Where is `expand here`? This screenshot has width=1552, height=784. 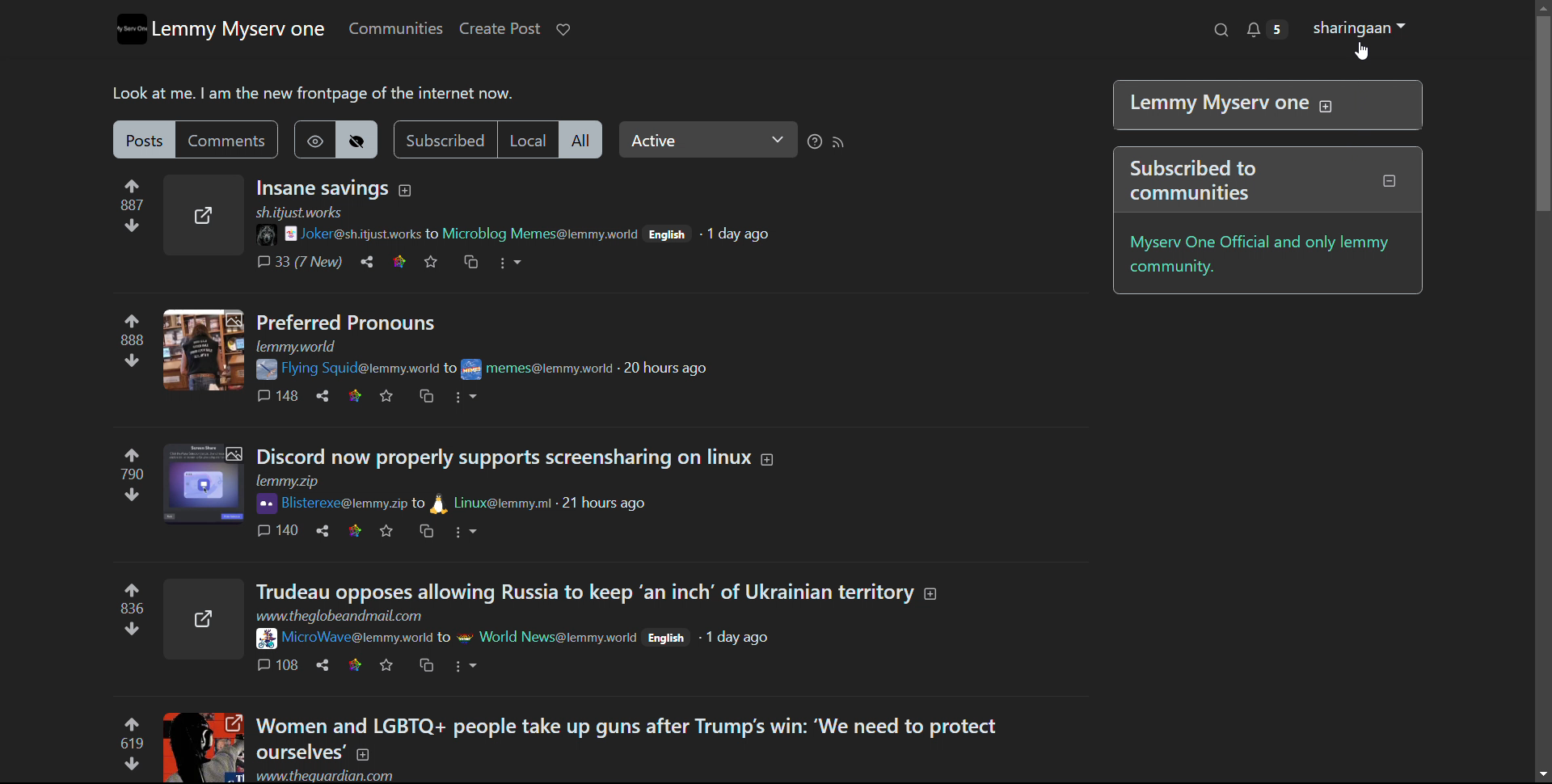 expand here is located at coordinates (202, 747).